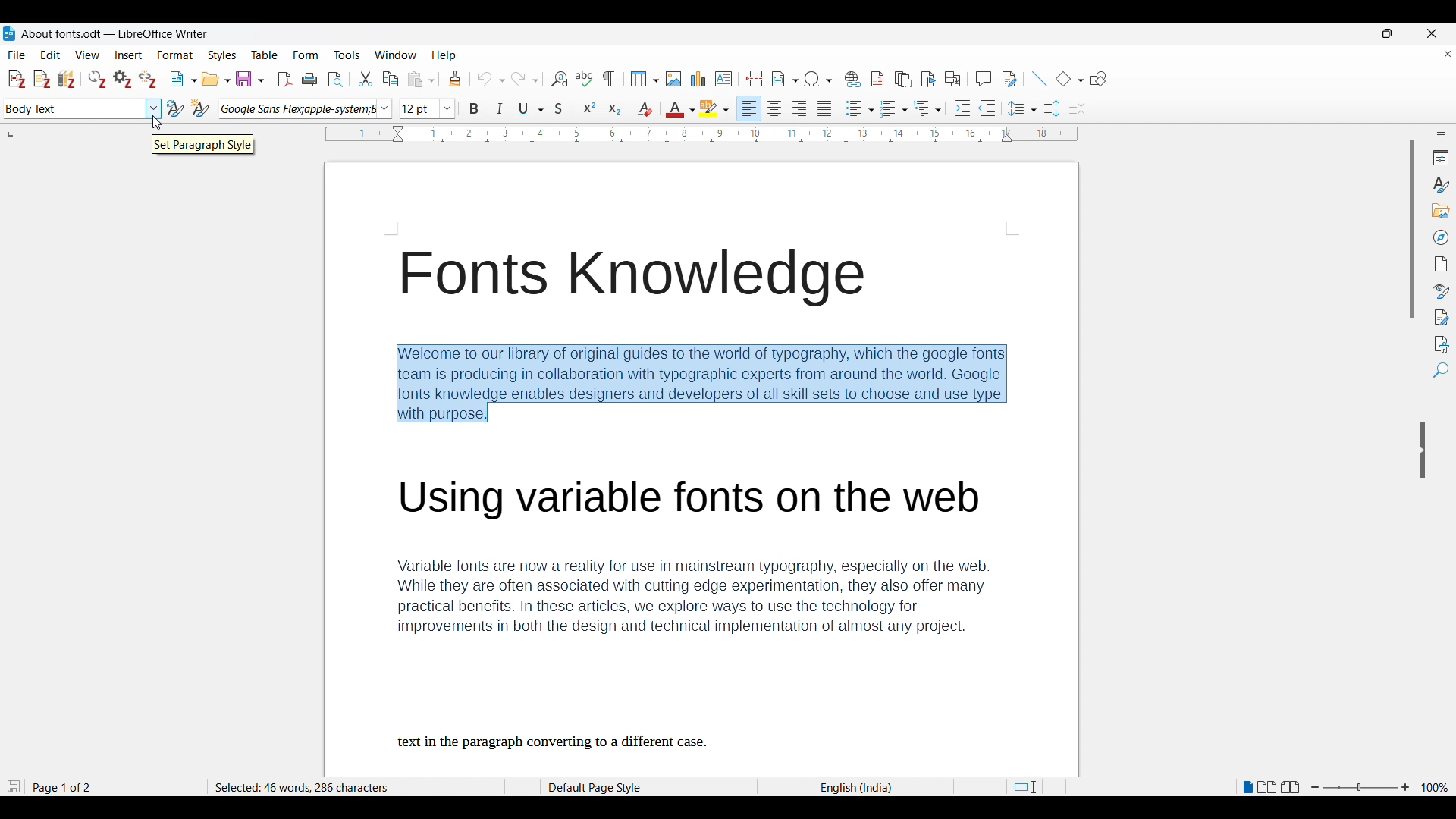 This screenshot has height=819, width=1456. Describe the element at coordinates (176, 55) in the screenshot. I see `Format menu` at that location.